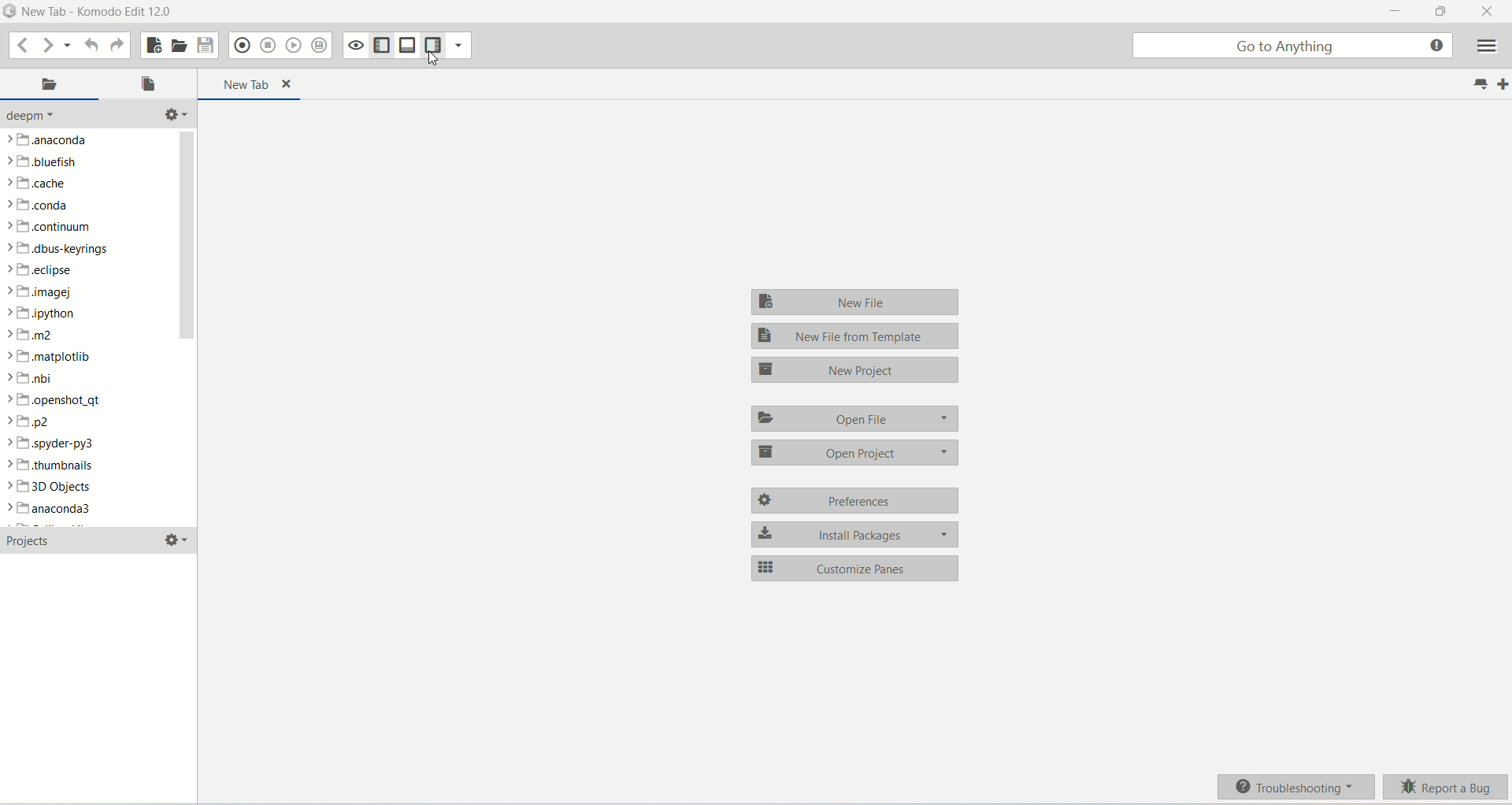 This screenshot has height=805, width=1512. I want to click on new file template, so click(858, 336).